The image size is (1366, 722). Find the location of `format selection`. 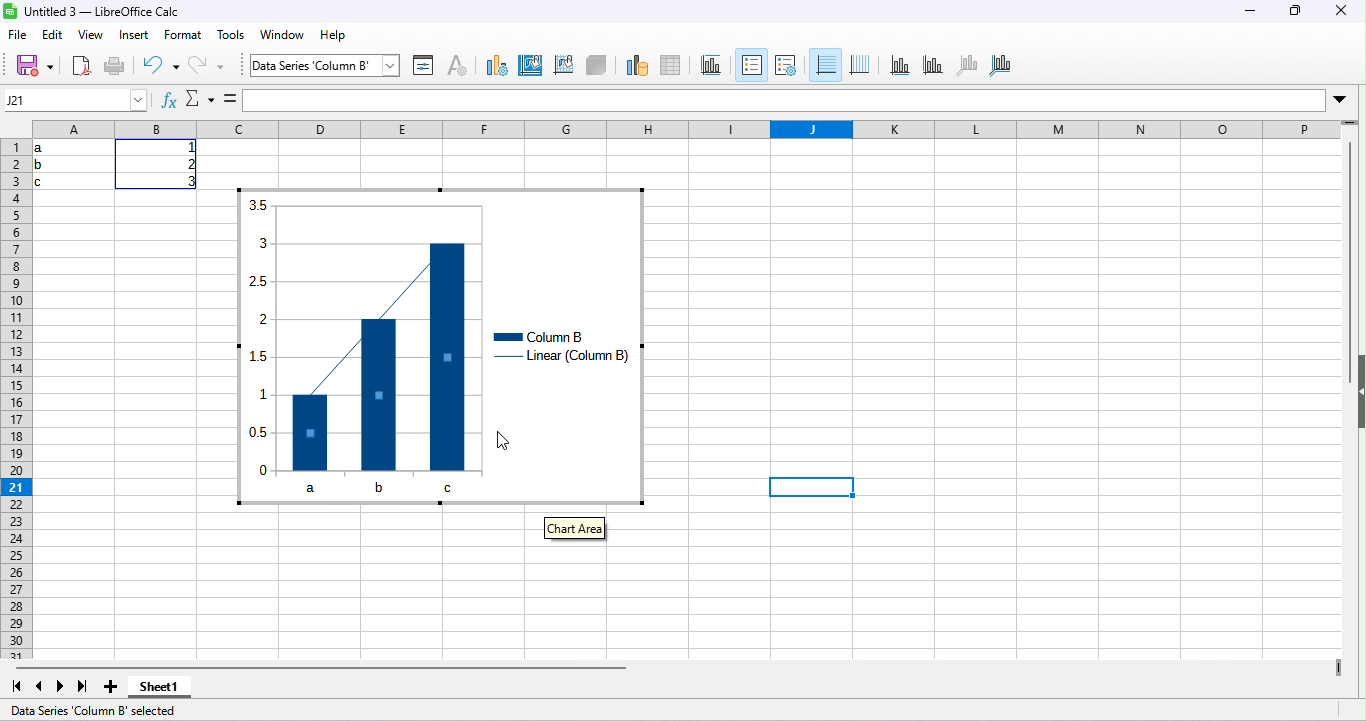

format selection is located at coordinates (427, 66).